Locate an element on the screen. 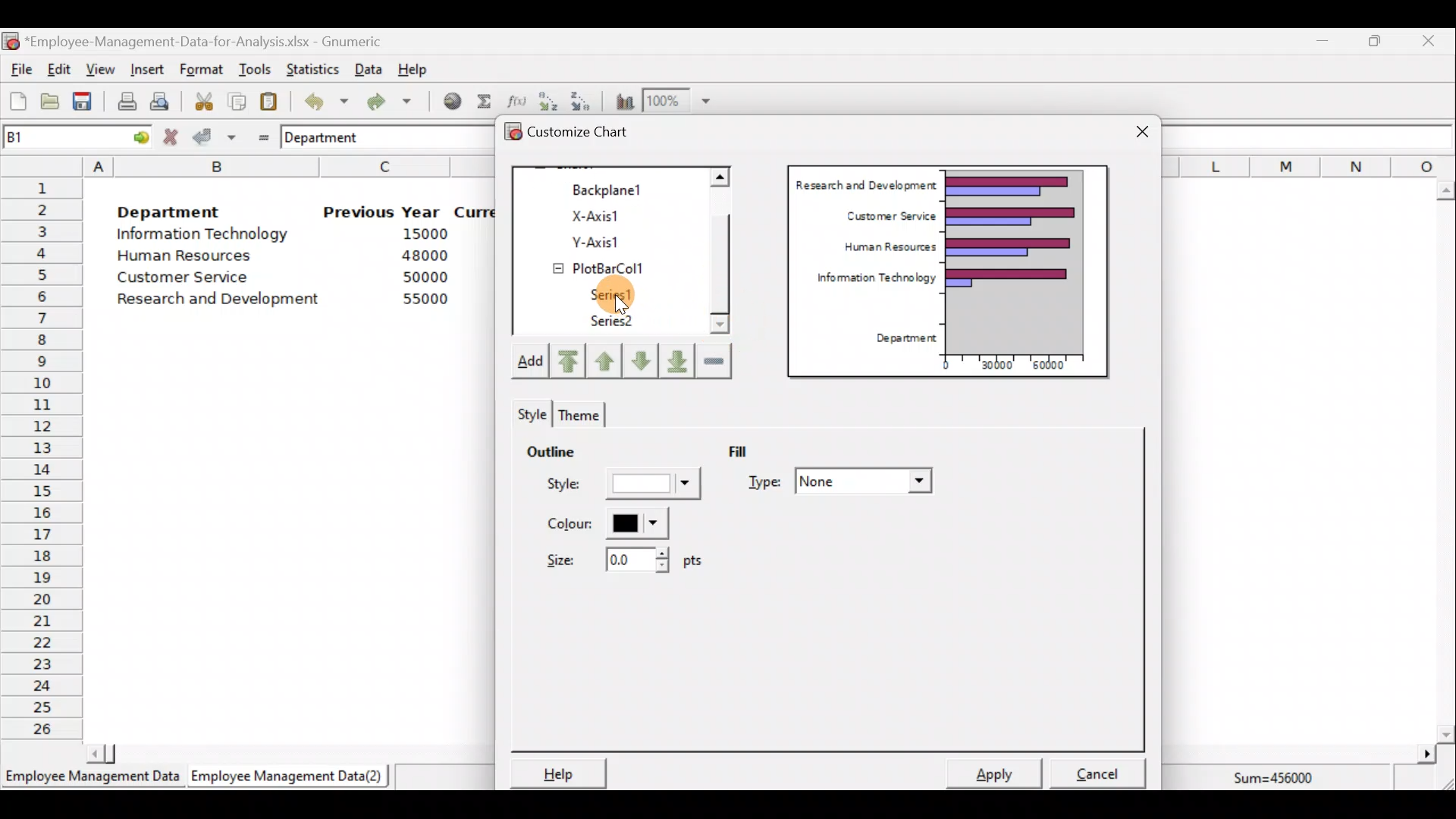 This screenshot has width=1456, height=819. Research and Development is located at coordinates (865, 183).